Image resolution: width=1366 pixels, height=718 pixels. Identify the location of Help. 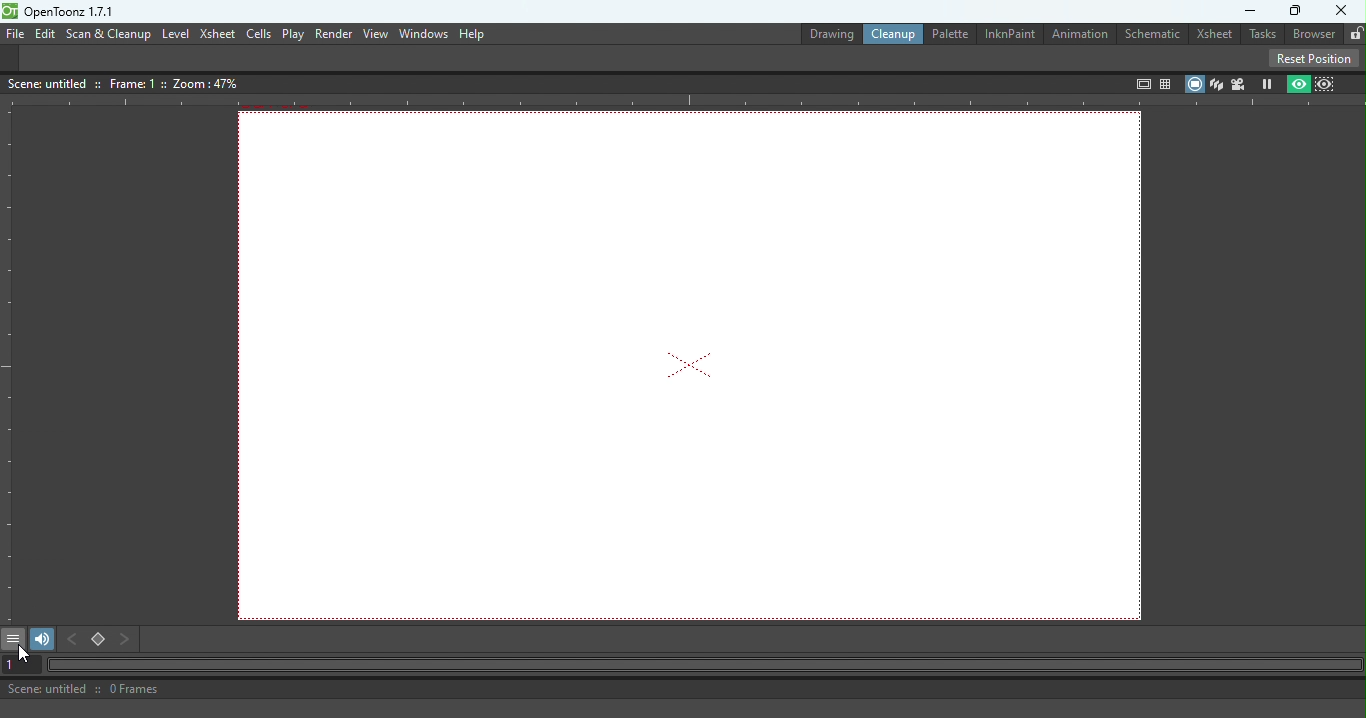
(473, 33).